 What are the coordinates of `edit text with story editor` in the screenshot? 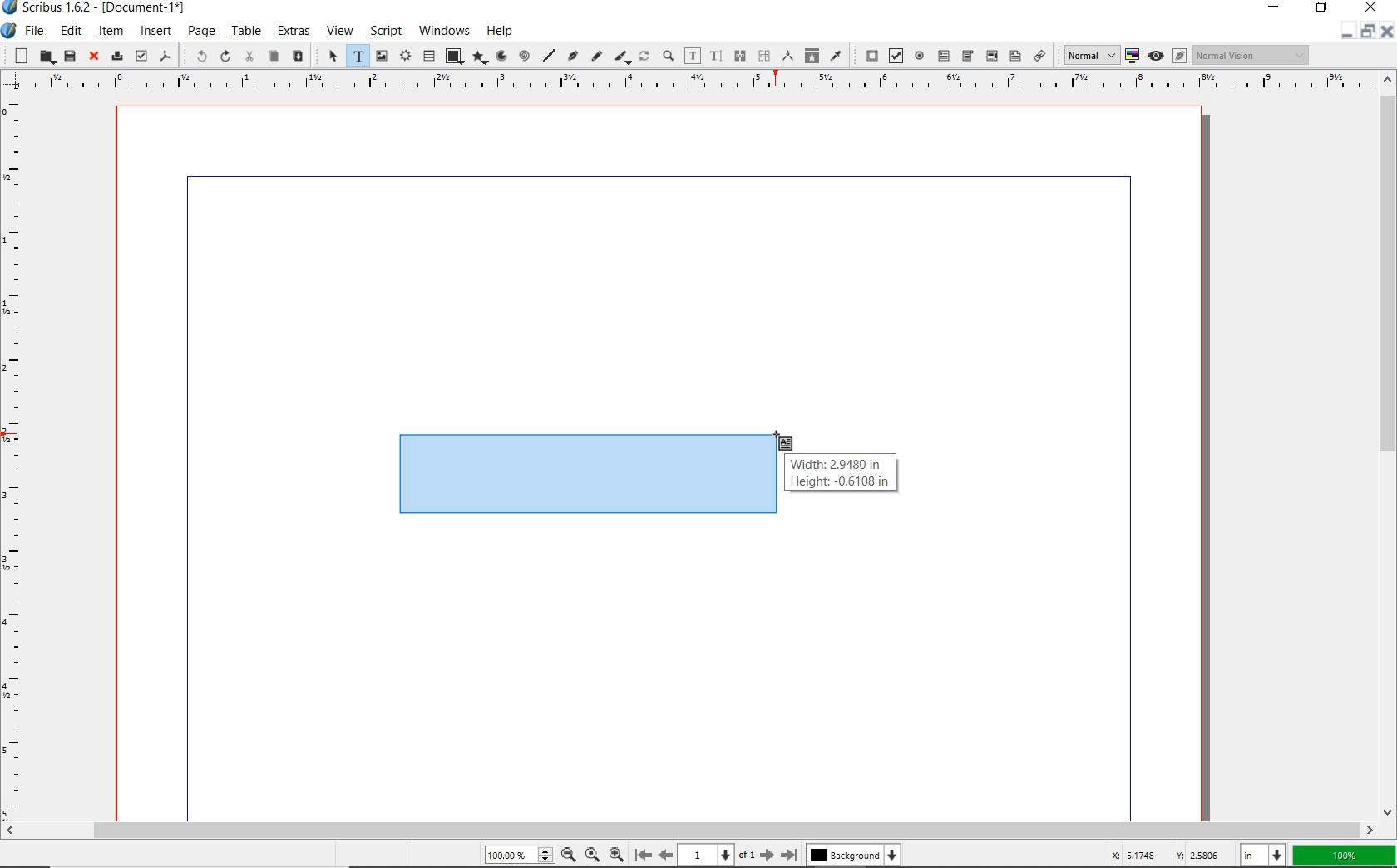 It's located at (715, 56).